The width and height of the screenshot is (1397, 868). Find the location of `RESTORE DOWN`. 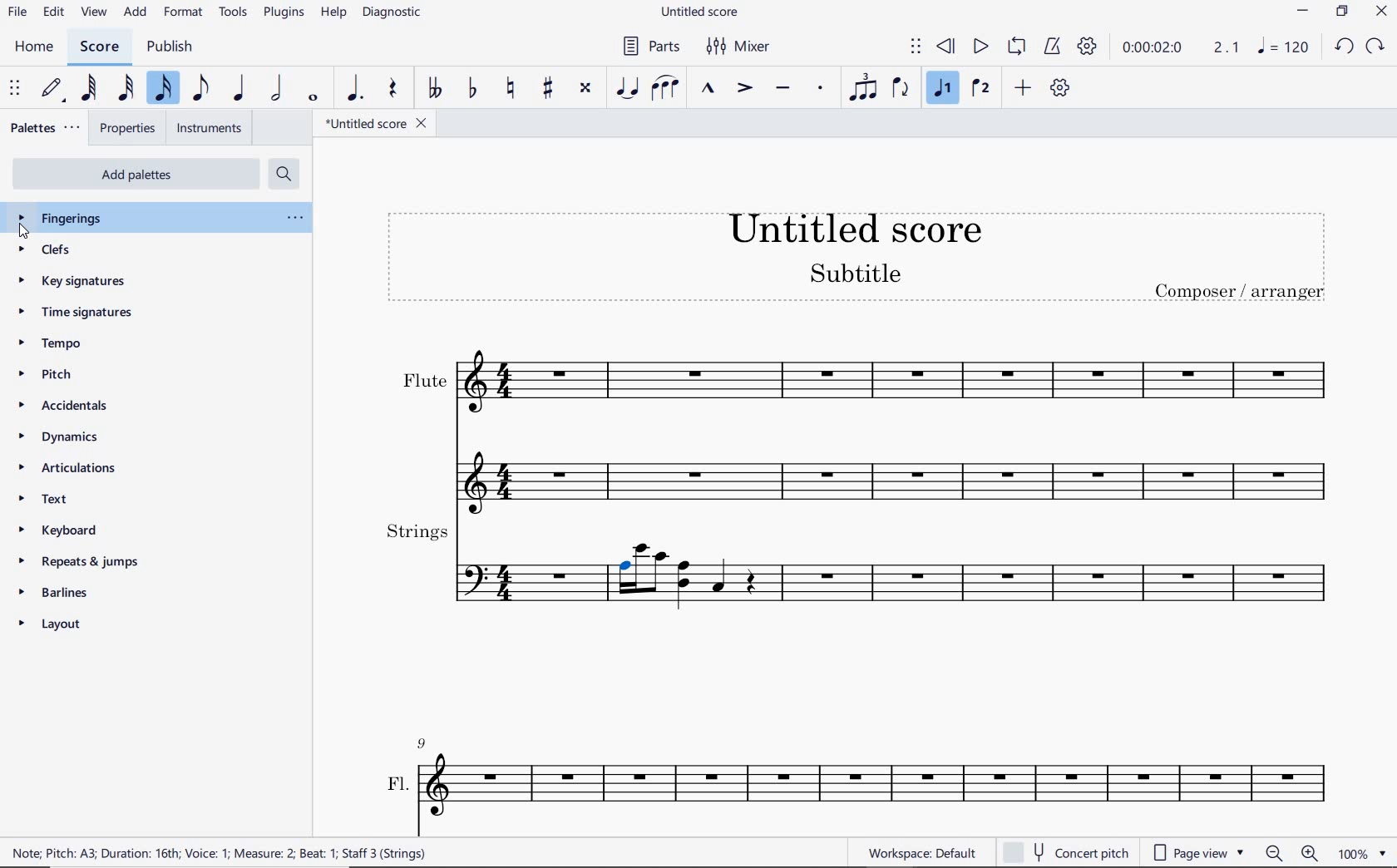

RESTORE DOWN is located at coordinates (1341, 12).